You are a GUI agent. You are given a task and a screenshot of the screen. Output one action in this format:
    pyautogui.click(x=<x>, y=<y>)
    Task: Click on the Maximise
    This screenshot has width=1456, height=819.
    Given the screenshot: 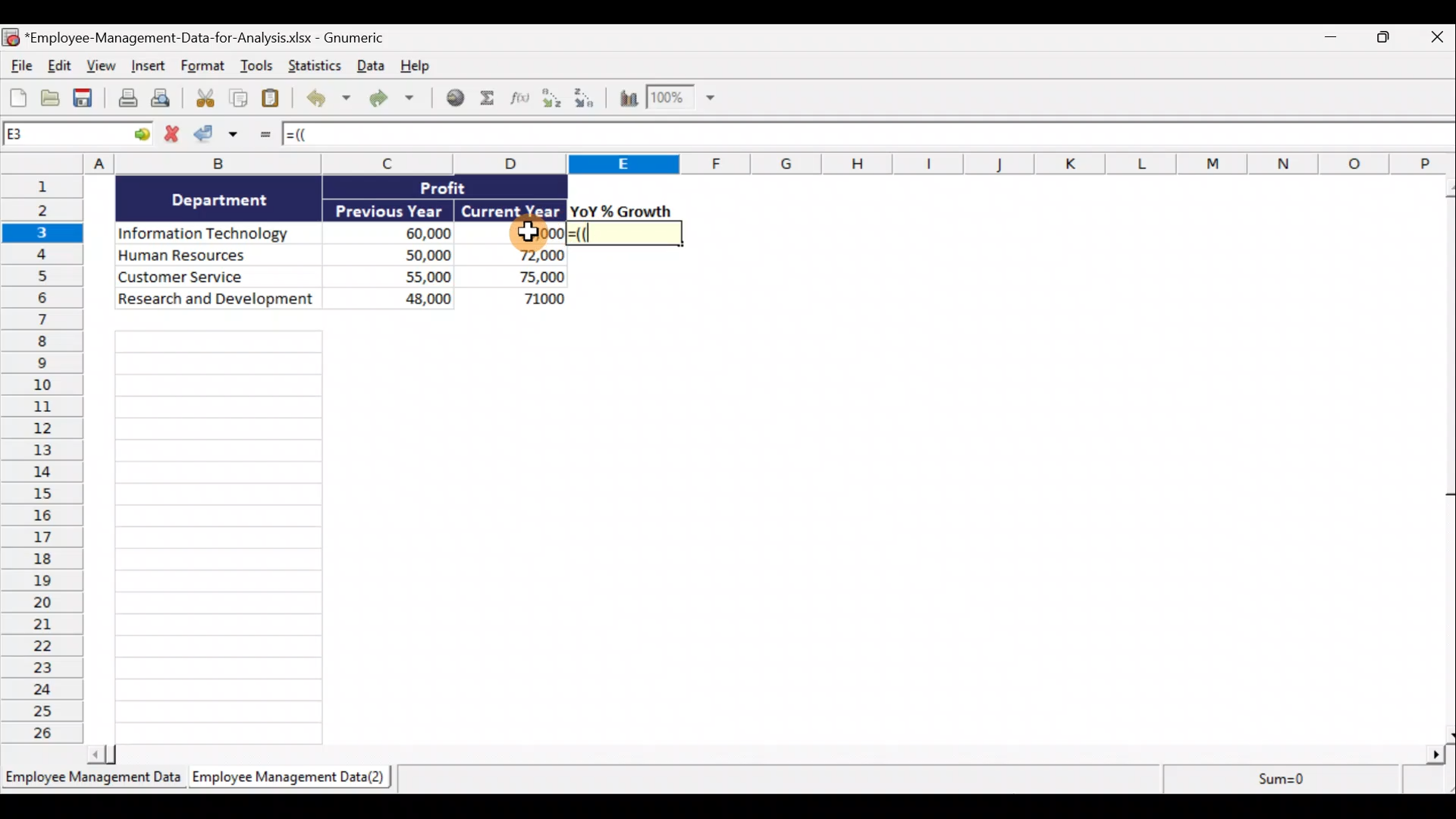 What is the action you would take?
    pyautogui.click(x=1389, y=37)
    